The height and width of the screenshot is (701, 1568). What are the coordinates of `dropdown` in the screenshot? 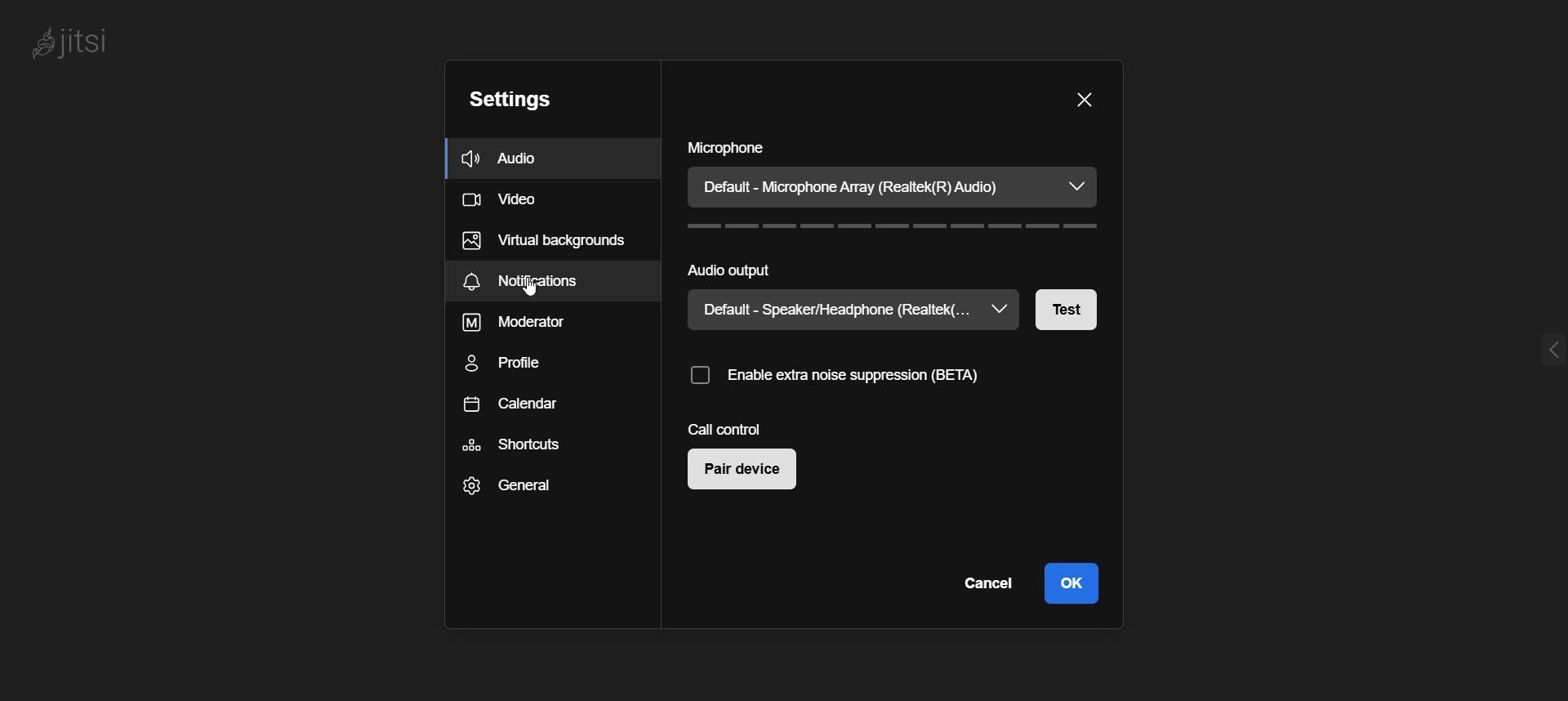 It's located at (1005, 307).